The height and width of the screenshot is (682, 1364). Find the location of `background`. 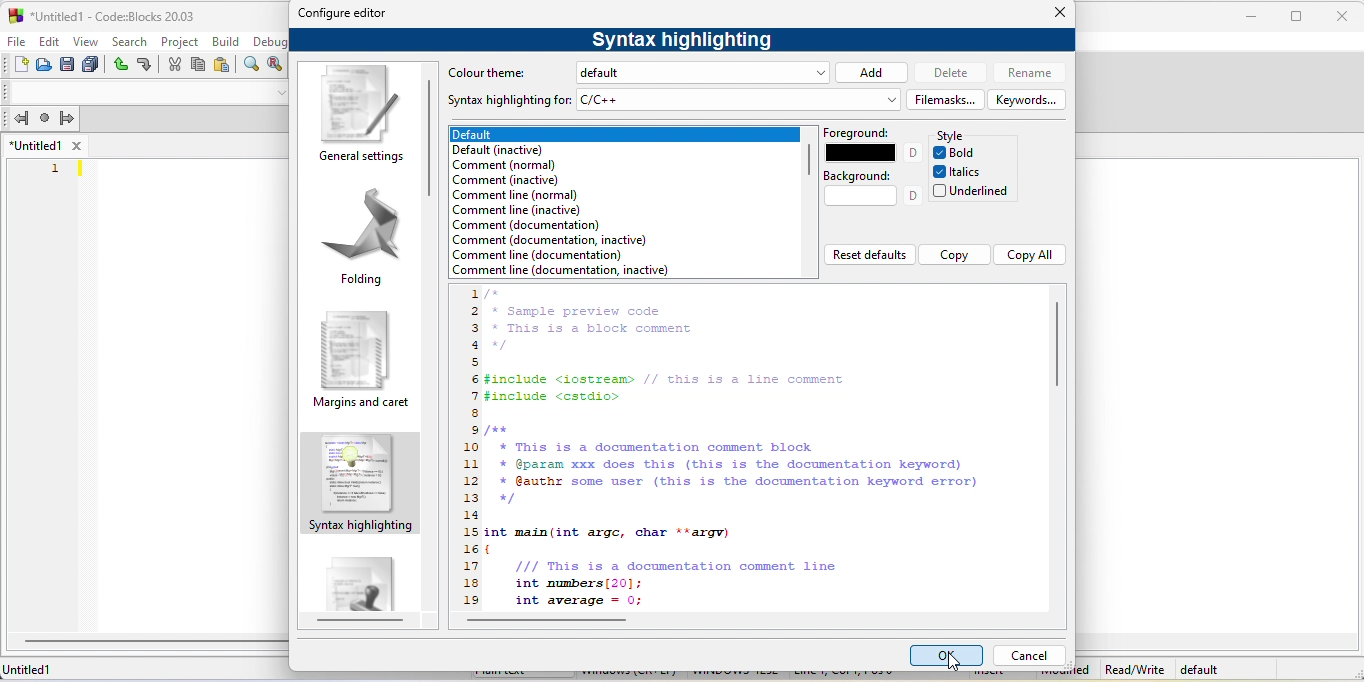

background is located at coordinates (871, 190).